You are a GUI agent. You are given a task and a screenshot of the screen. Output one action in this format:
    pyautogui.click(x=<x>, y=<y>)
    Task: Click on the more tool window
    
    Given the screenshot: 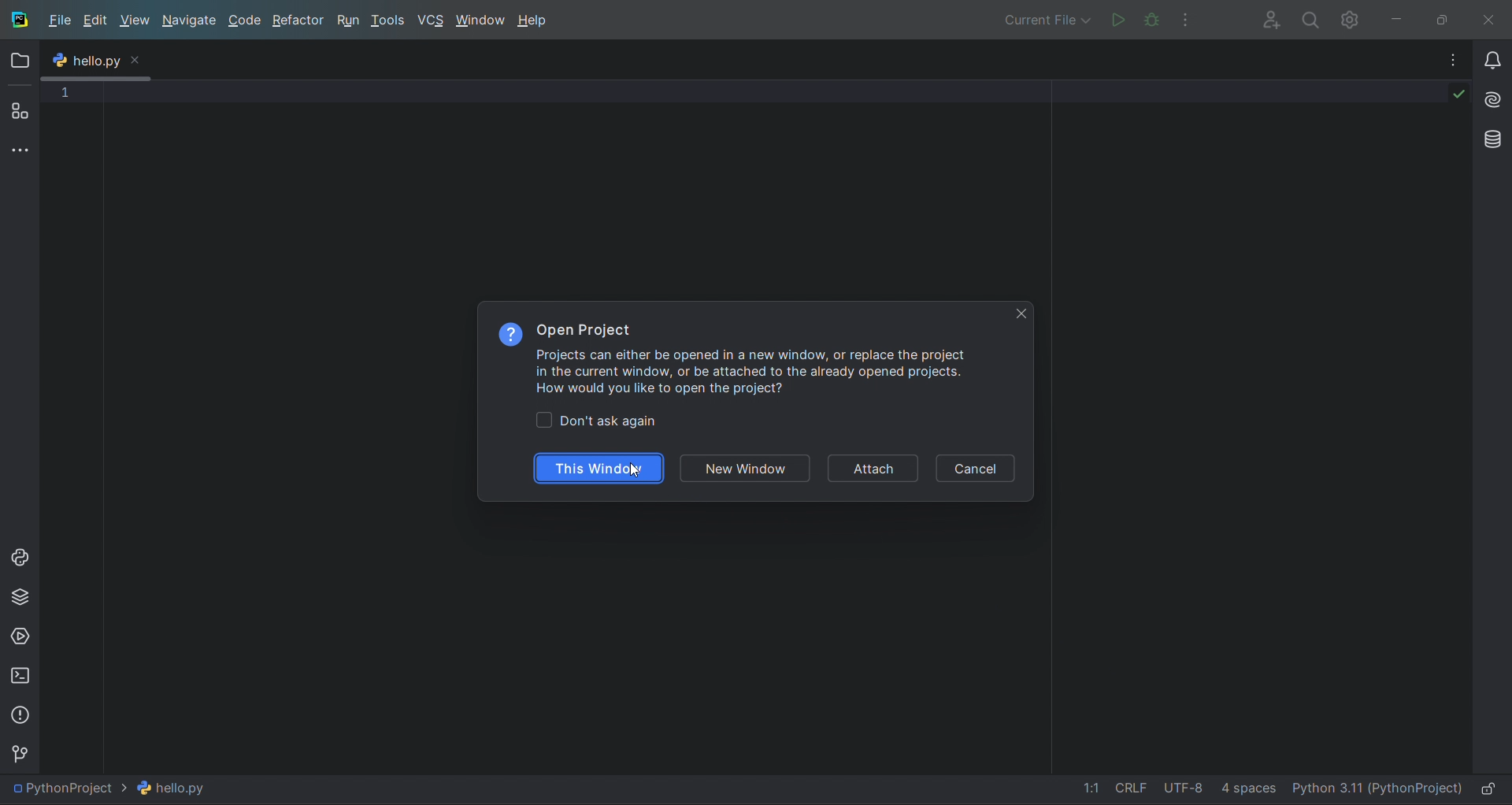 What is the action you would take?
    pyautogui.click(x=20, y=150)
    